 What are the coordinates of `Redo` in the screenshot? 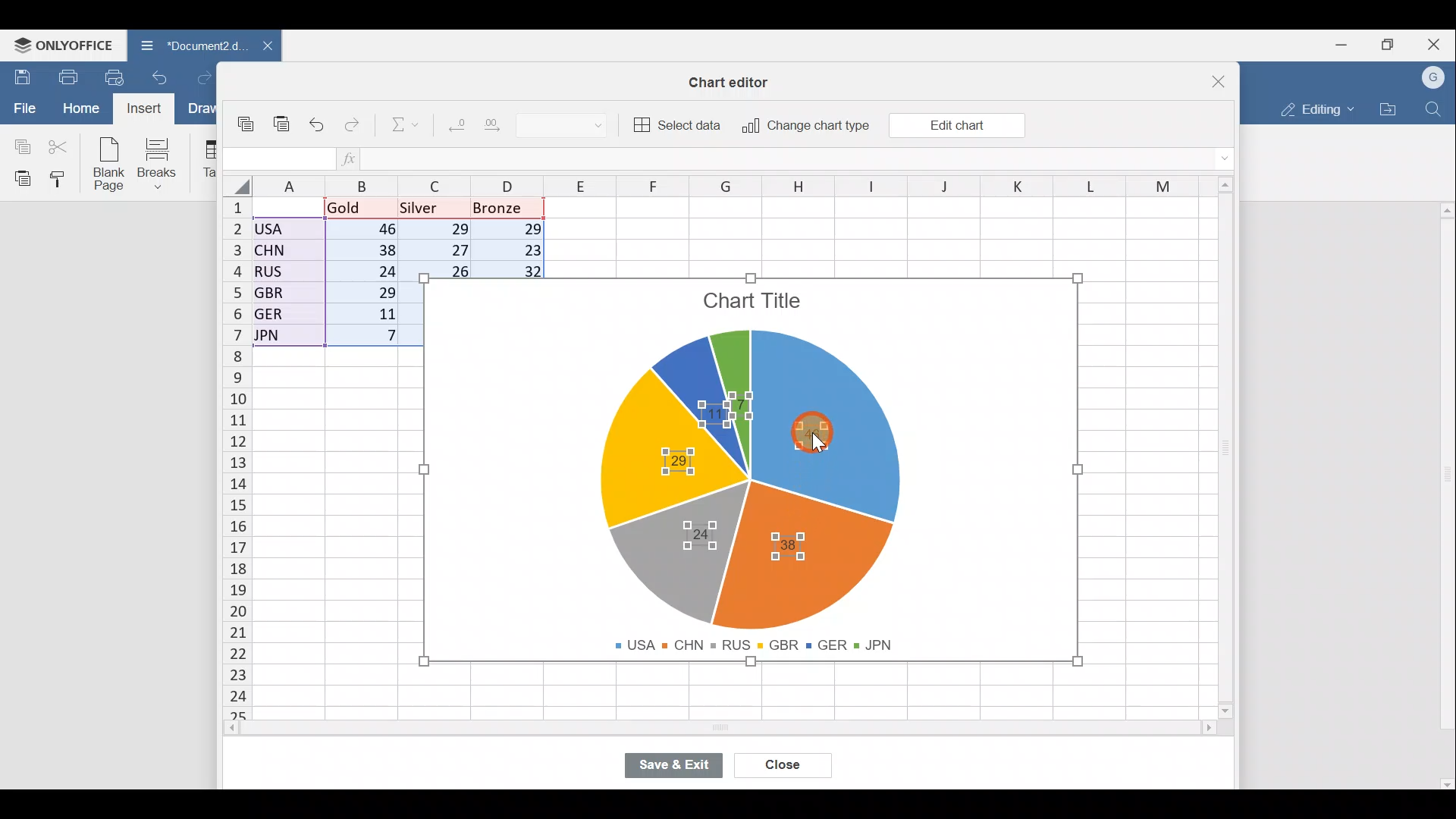 It's located at (353, 128).